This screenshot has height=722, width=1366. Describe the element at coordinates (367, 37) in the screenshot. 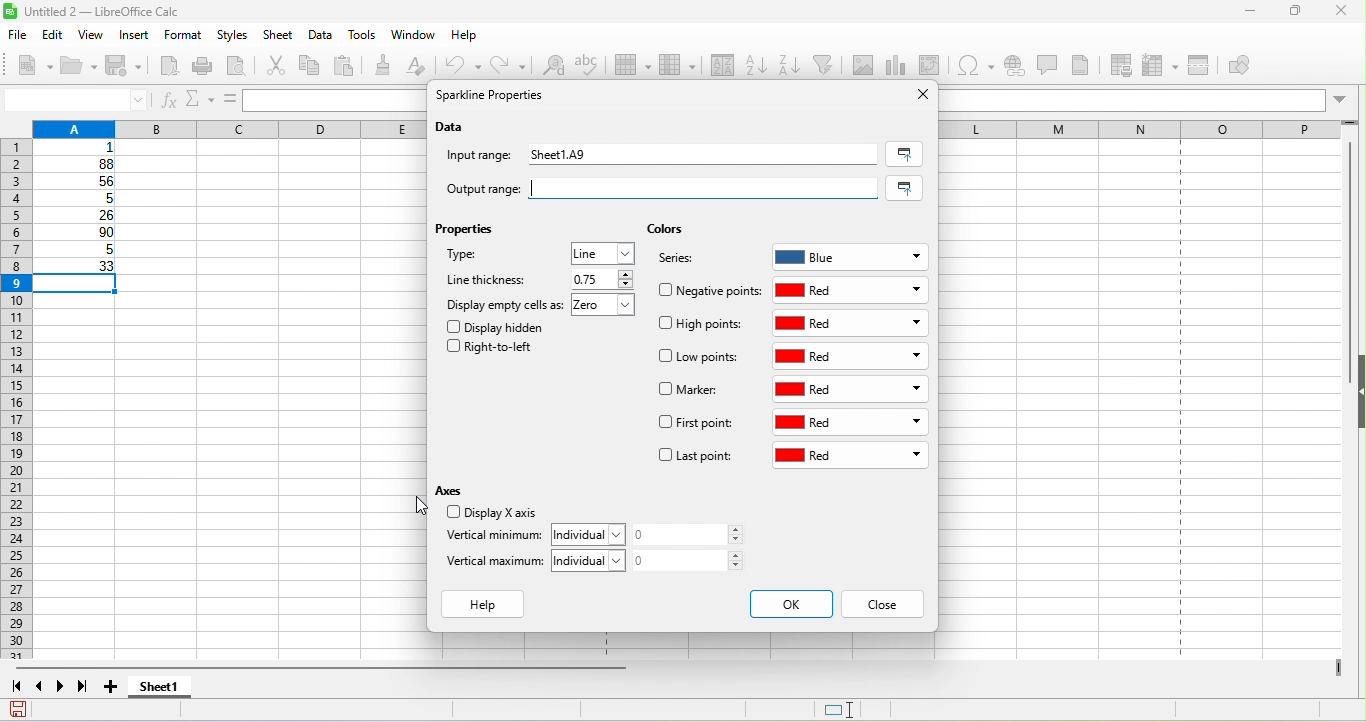

I see `tools` at that location.